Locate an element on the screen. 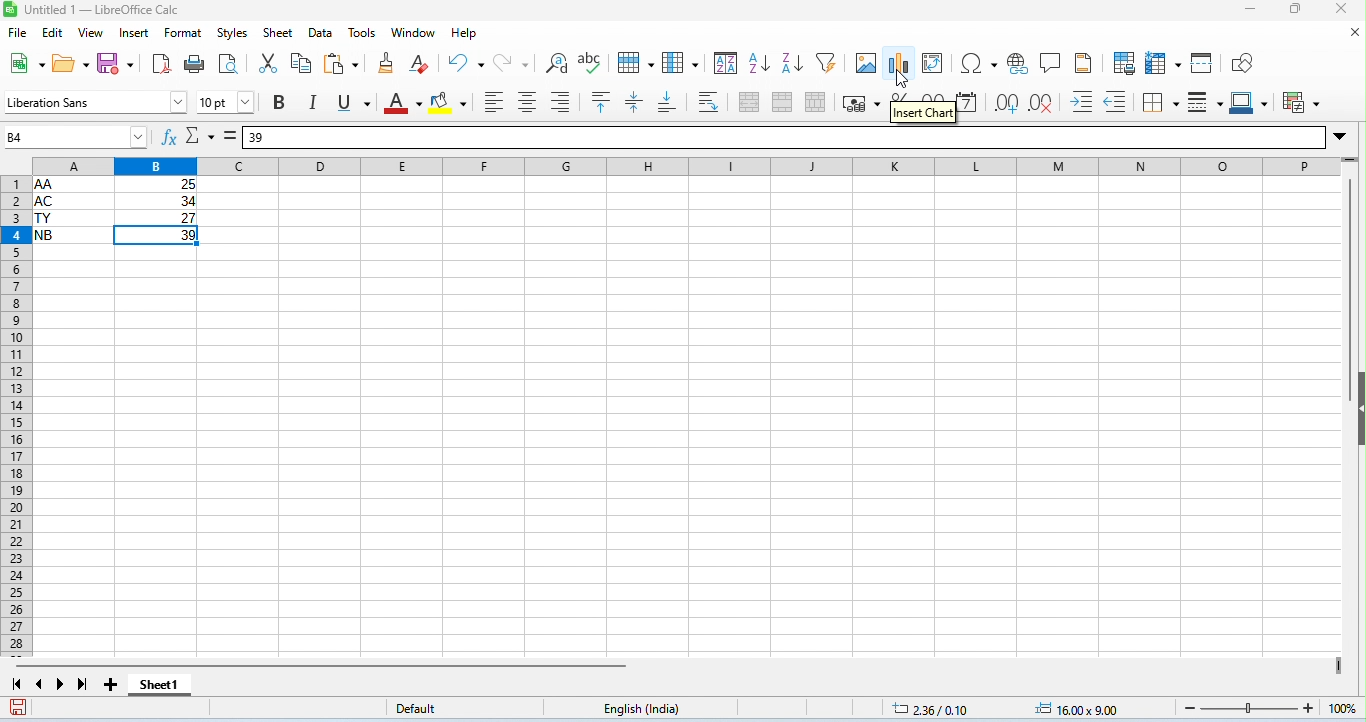  default is located at coordinates (420, 709).